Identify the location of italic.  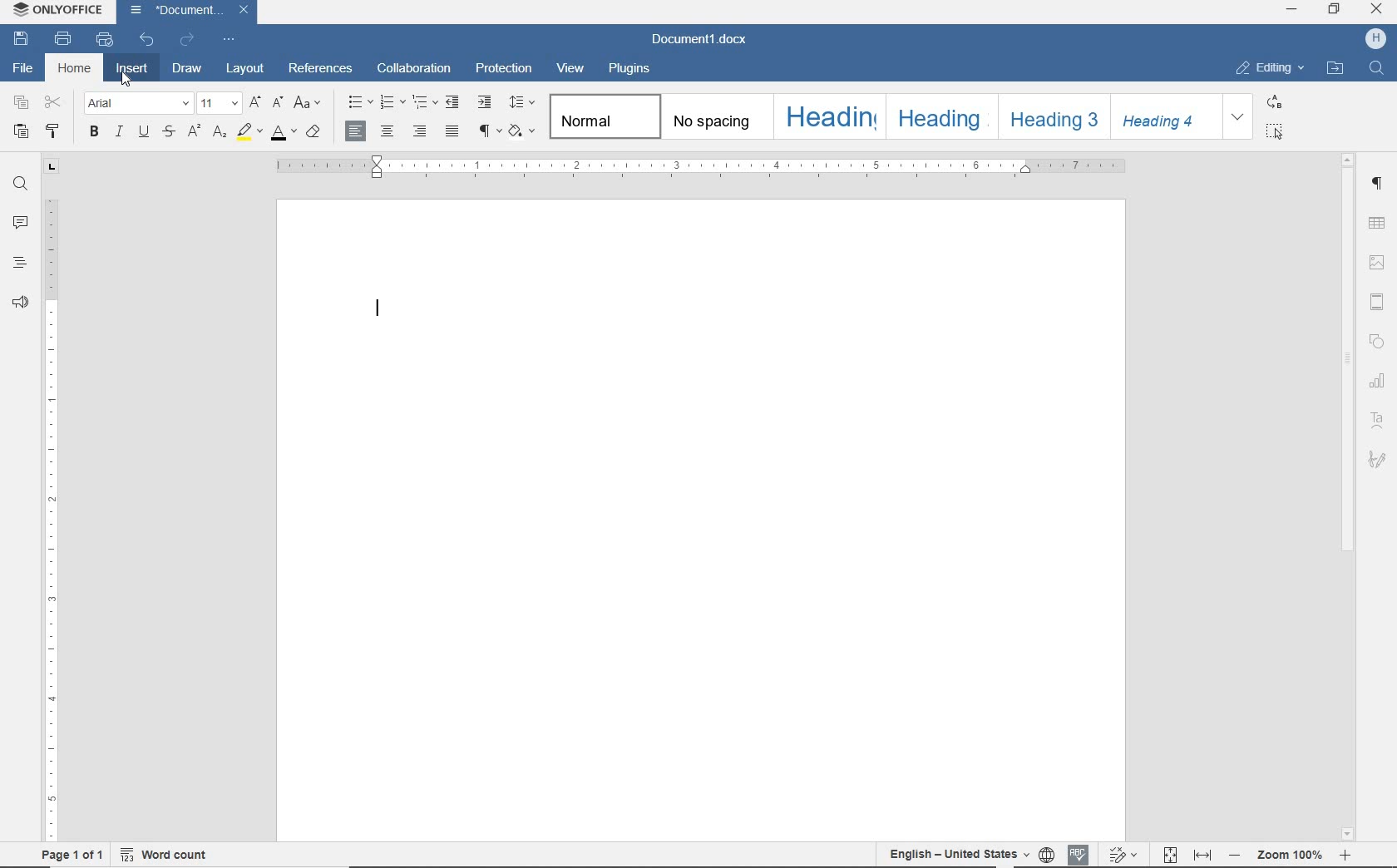
(121, 133).